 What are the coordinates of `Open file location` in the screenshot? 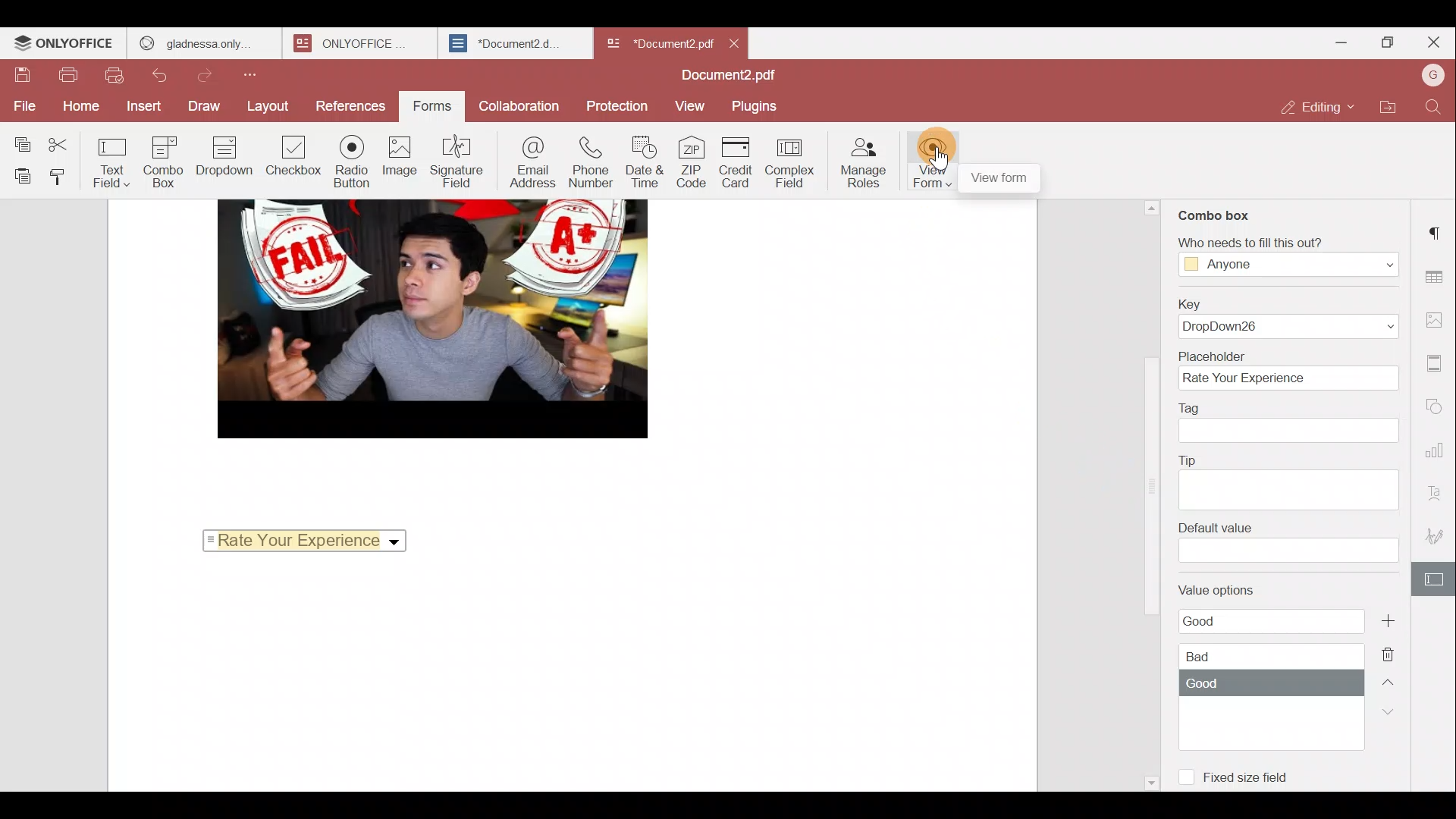 It's located at (1385, 110).